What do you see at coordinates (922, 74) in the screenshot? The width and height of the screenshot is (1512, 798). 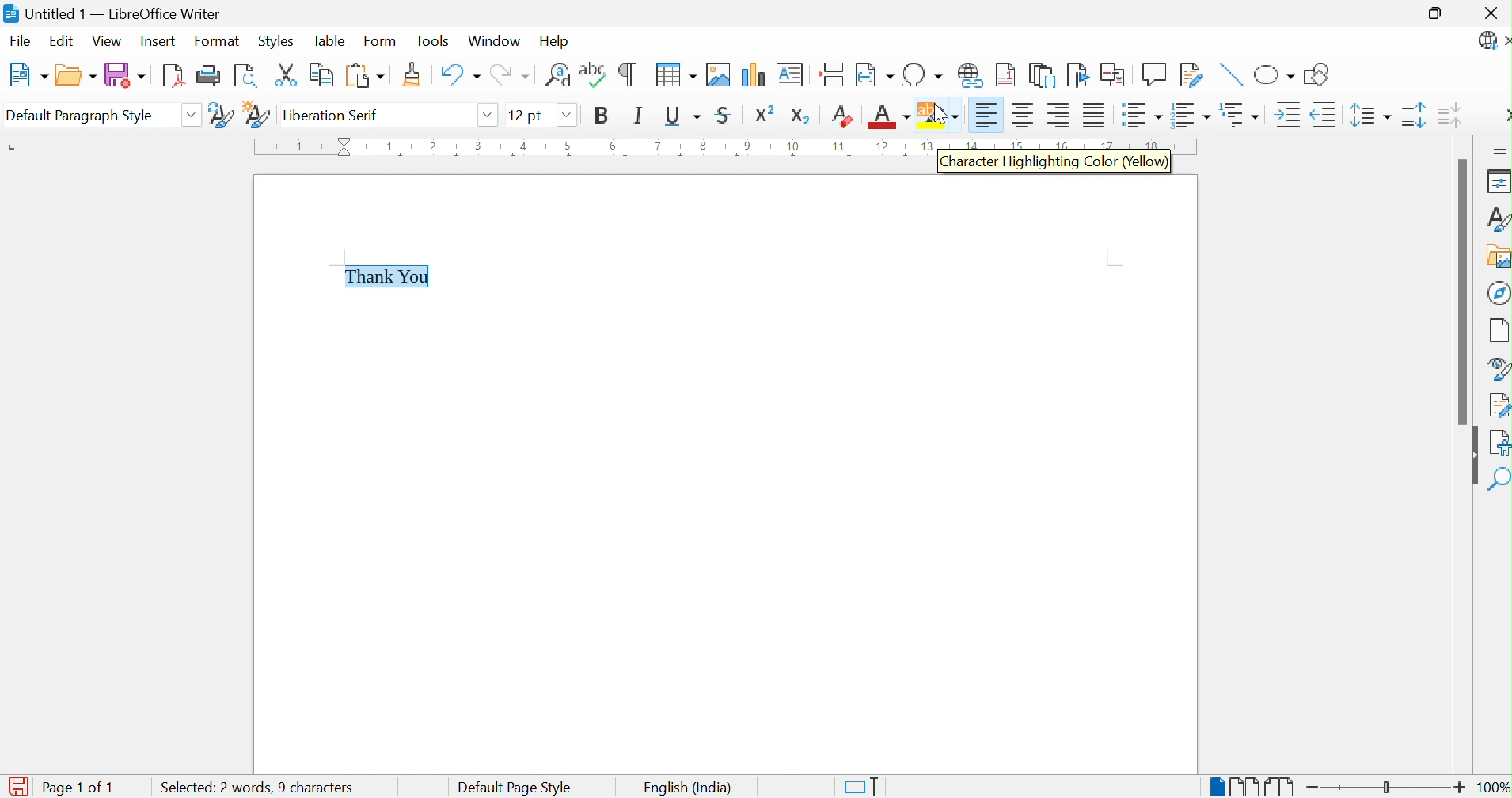 I see `Insert Special Characters` at bounding box center [922, 74].